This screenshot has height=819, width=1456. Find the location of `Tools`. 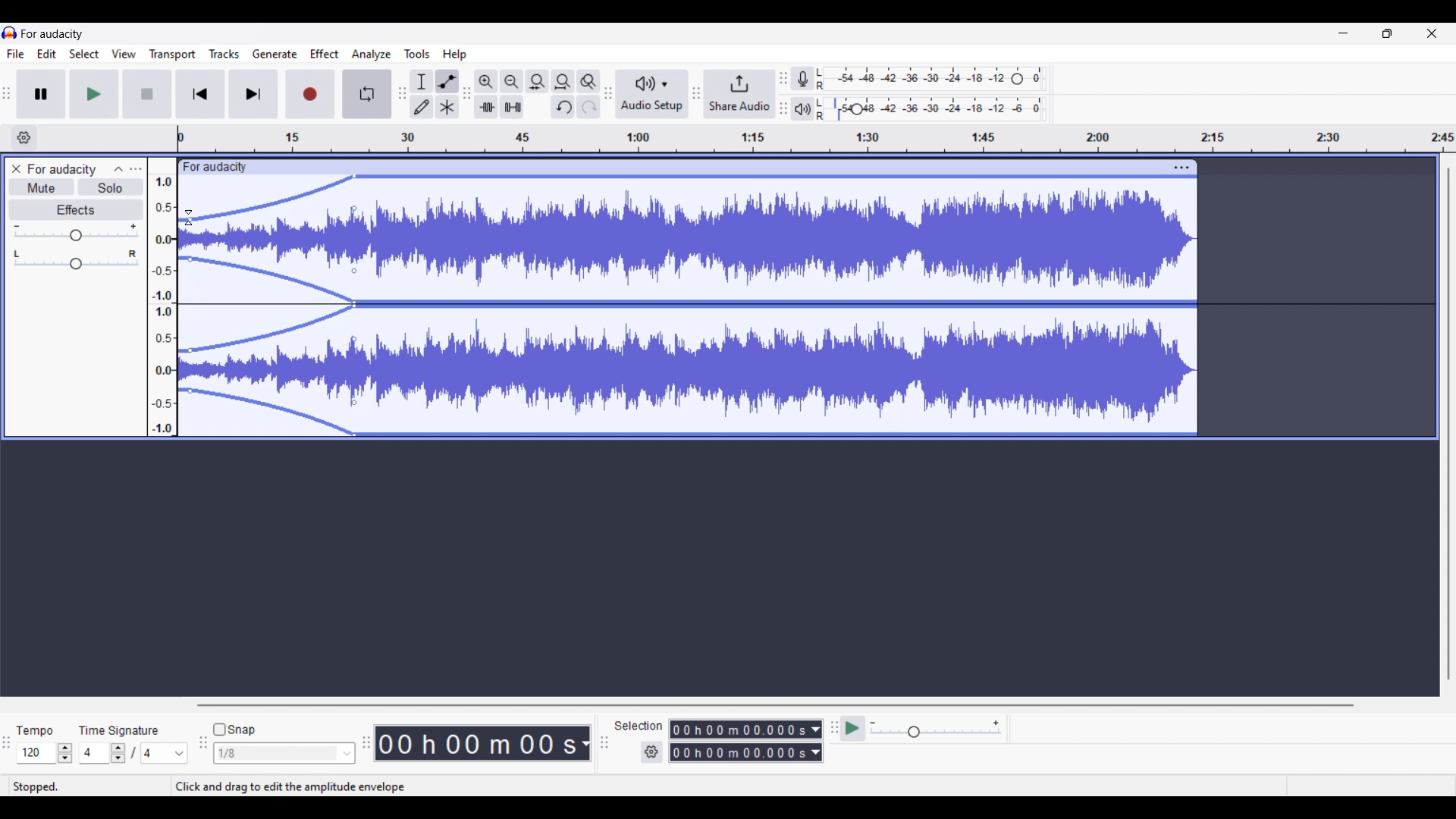

Tools is located at coordinates (416, 54).